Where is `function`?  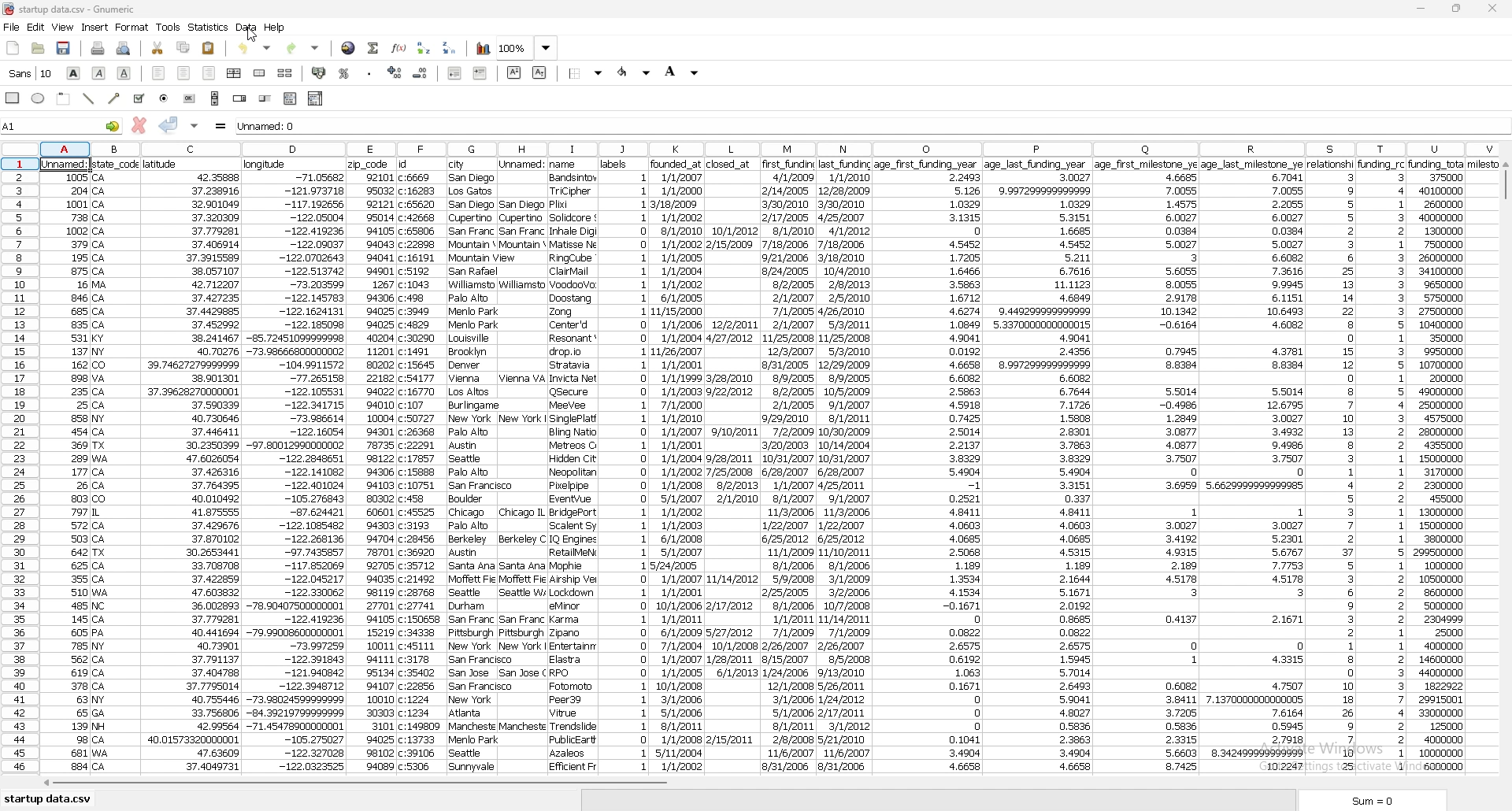
function is located at coordinates (398, 48).